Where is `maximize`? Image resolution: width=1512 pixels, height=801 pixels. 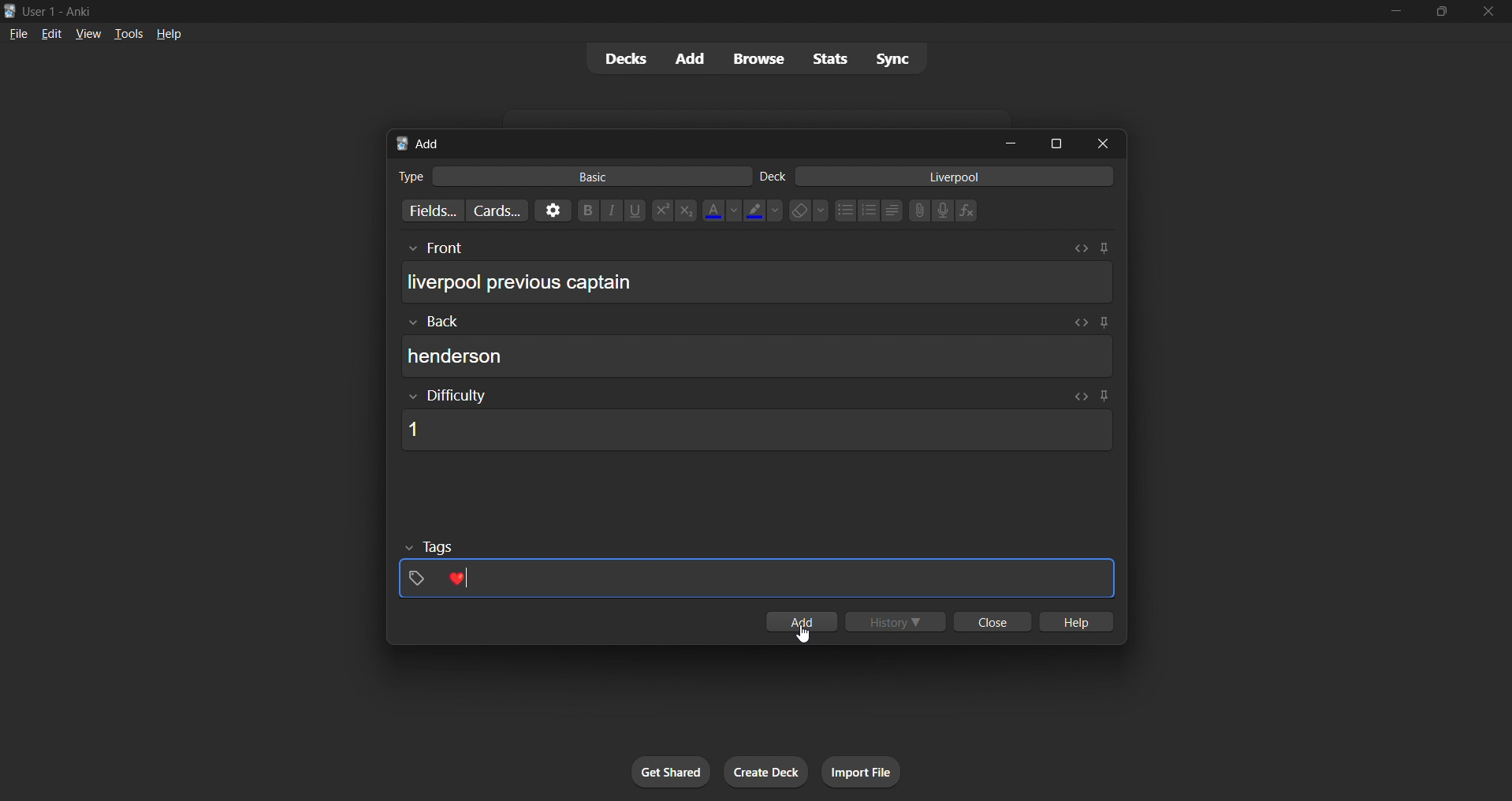 maximize is located at coordinates (1057, 142).